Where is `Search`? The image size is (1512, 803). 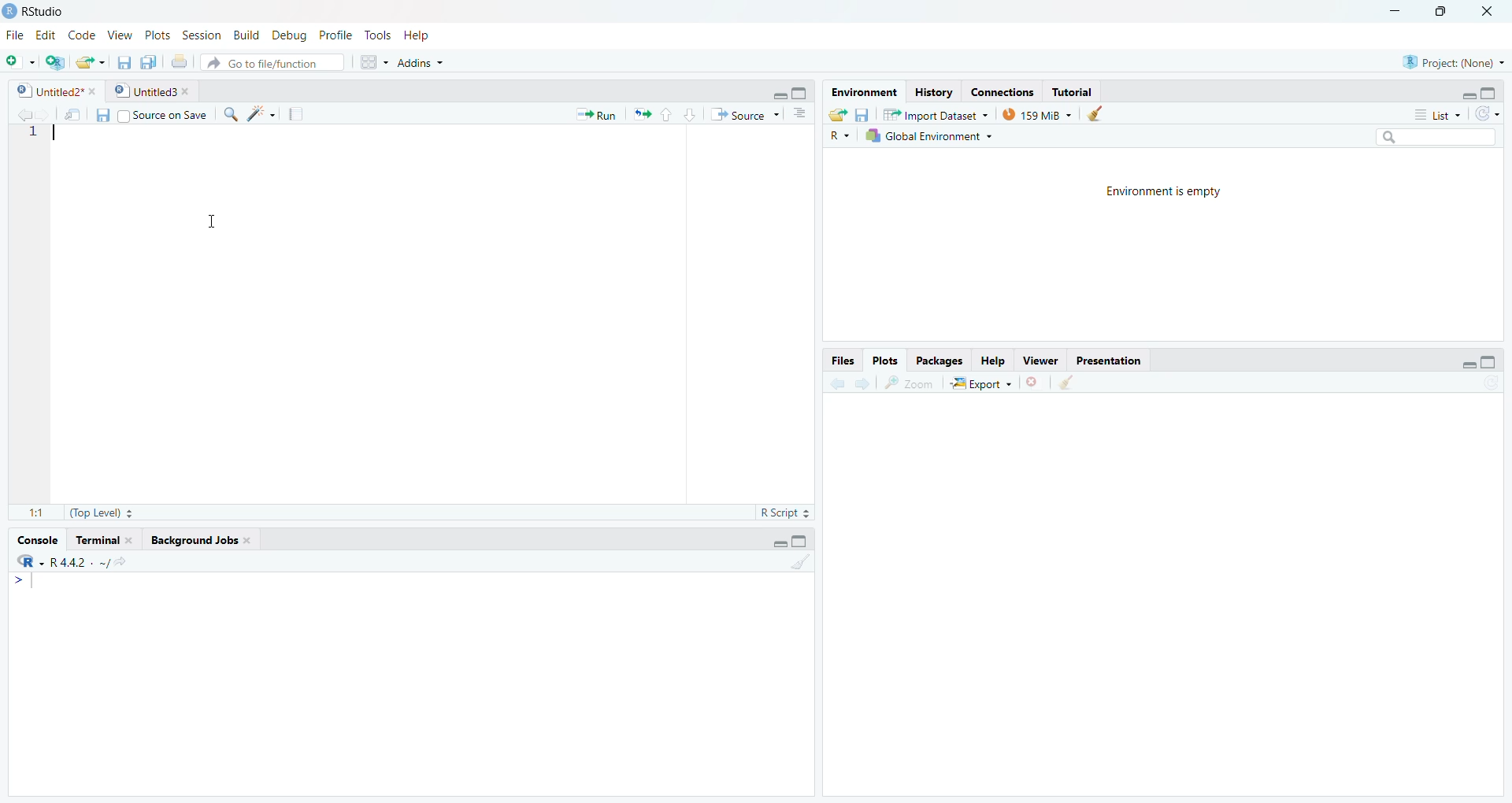 Search is located at coordinates (1434, 136).